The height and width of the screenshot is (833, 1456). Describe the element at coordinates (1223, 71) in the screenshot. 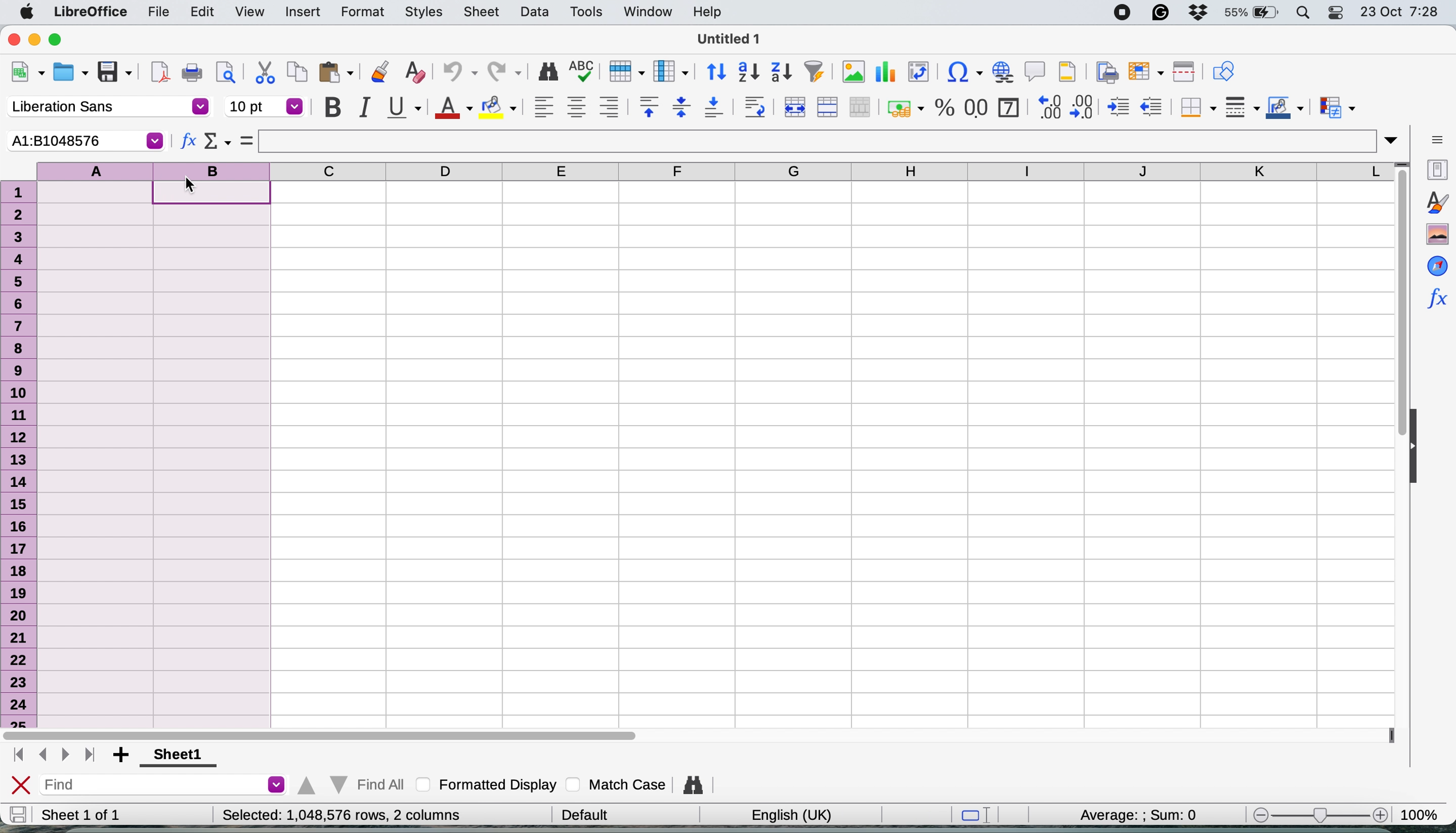

I see `show draw functions` at that location.